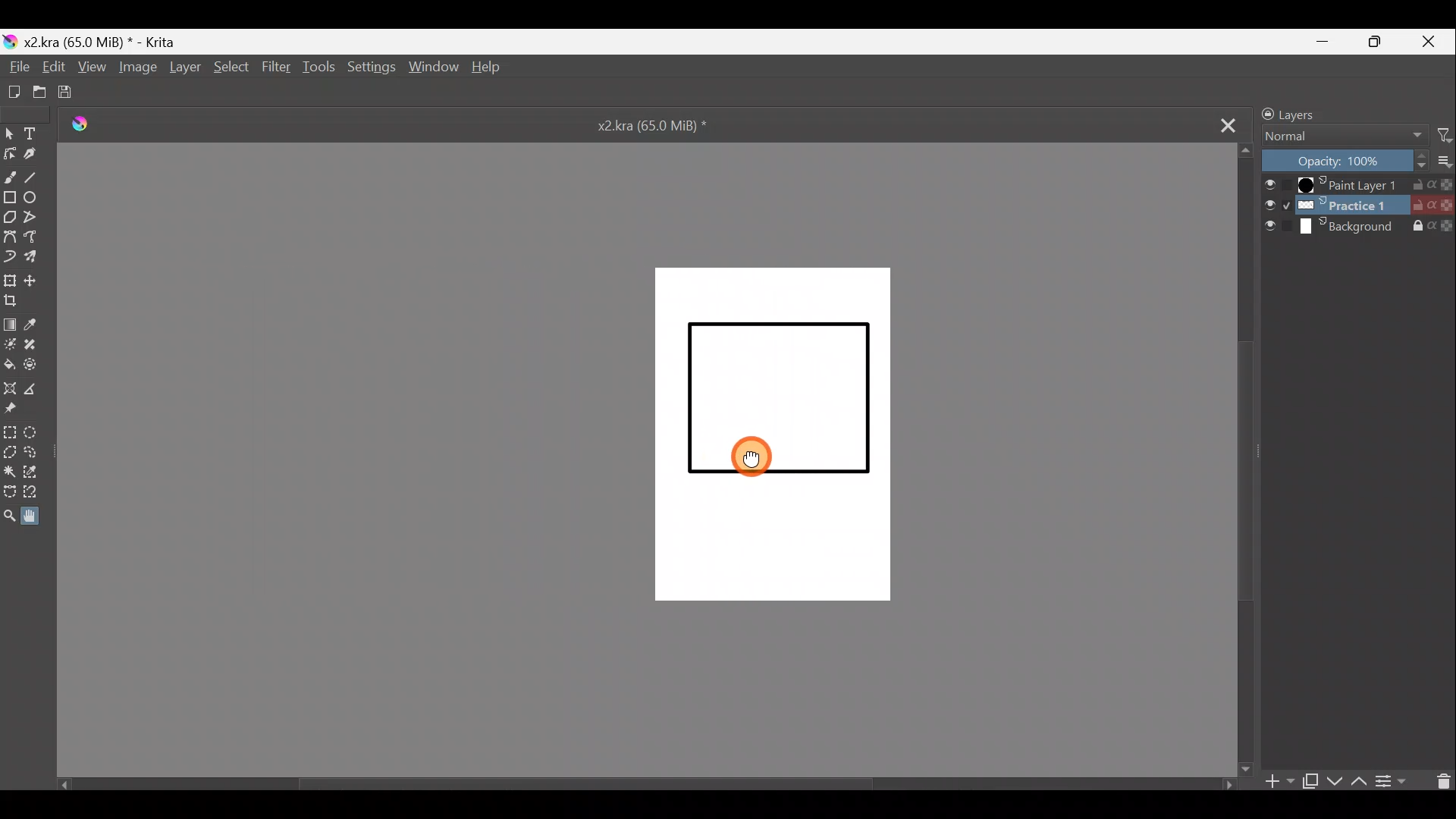  Describe the element at coordinates (9, 359) in the screenshot. I see `Fill a contiguous area of colour with colour/fill a selection` at that location.